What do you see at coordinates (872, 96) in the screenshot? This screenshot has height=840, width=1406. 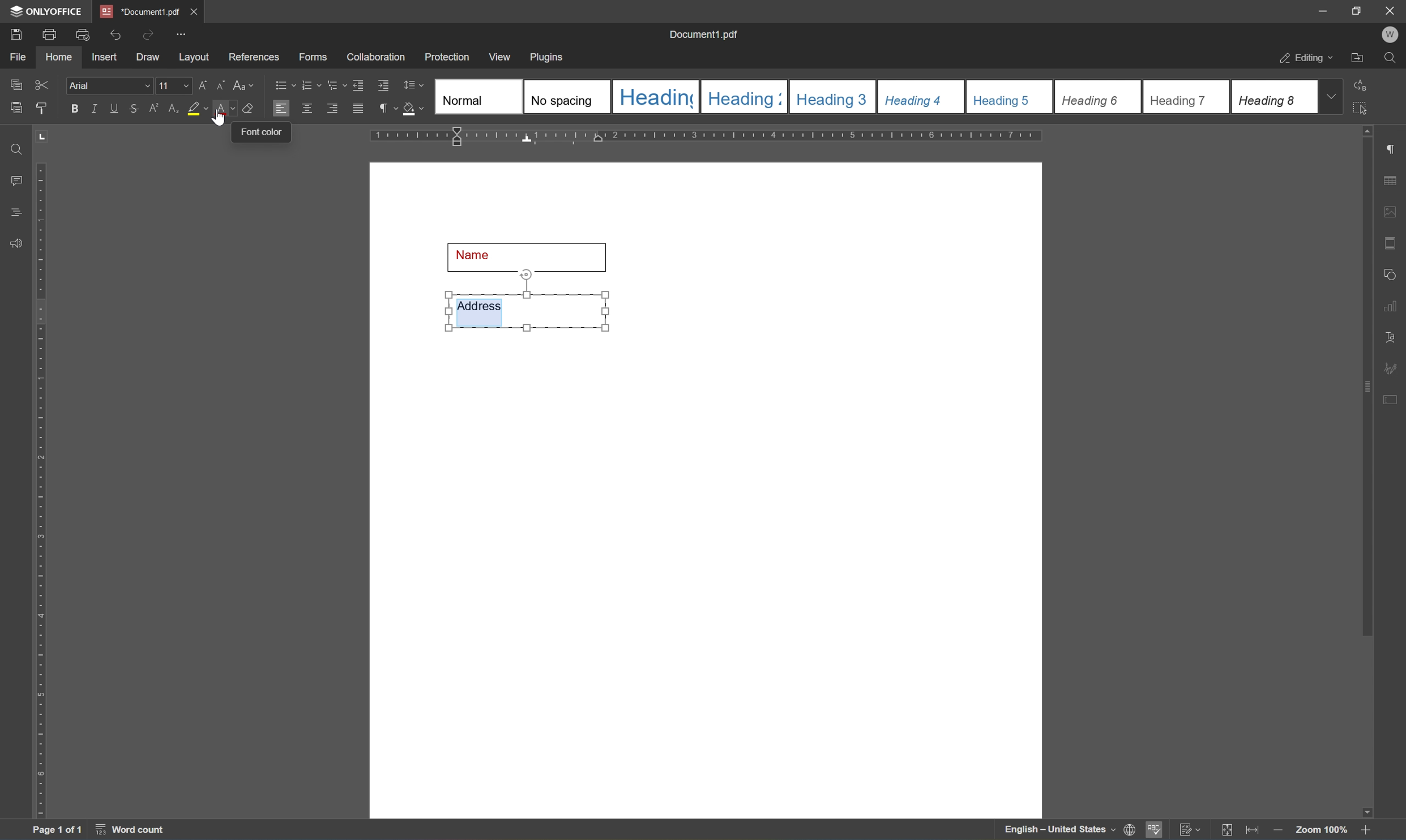 I see `type of slides` at bounding box center [872, 96].